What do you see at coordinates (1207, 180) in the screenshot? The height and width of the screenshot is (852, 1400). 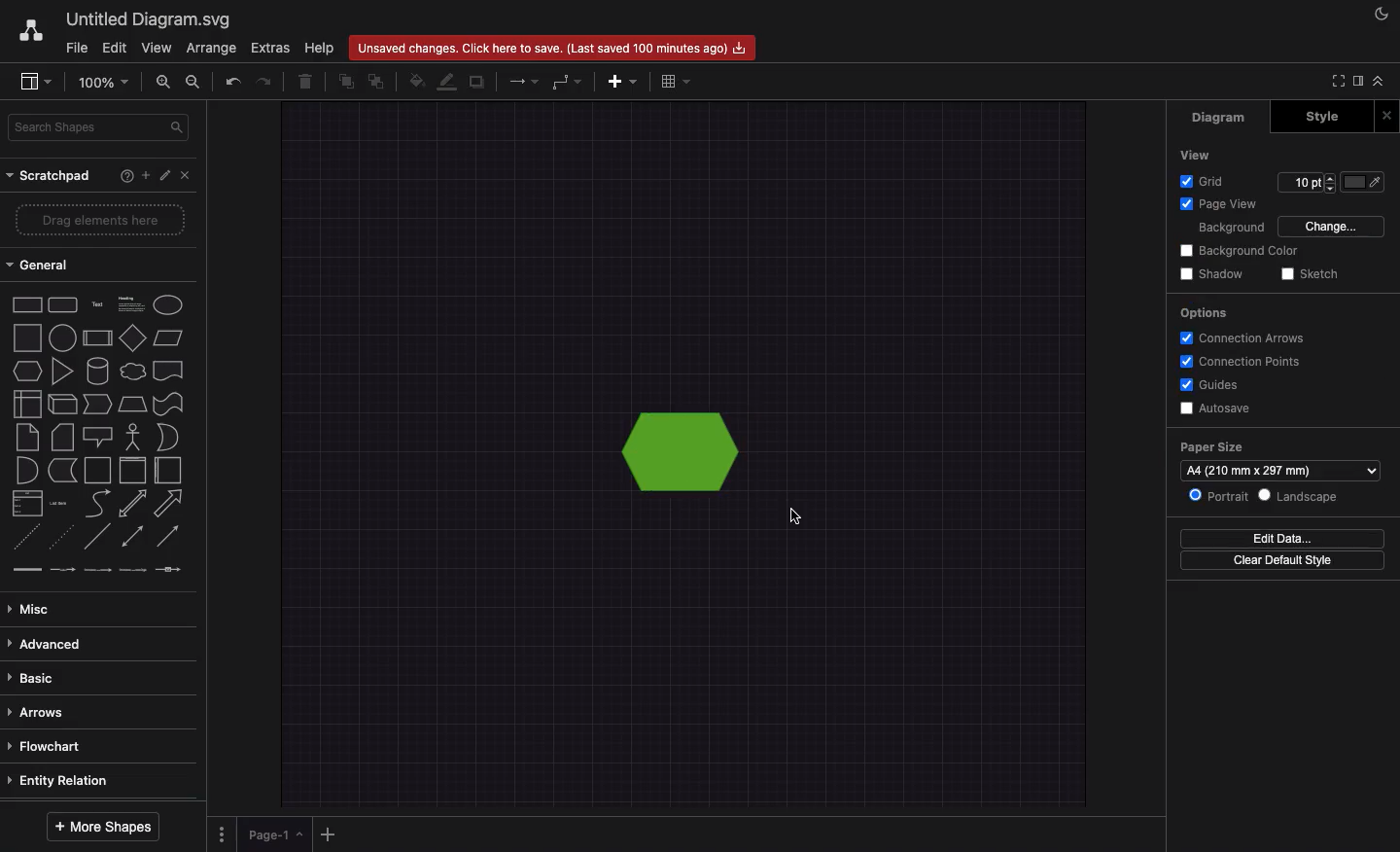 I see `Grid` at bounding box center [1207, 180].